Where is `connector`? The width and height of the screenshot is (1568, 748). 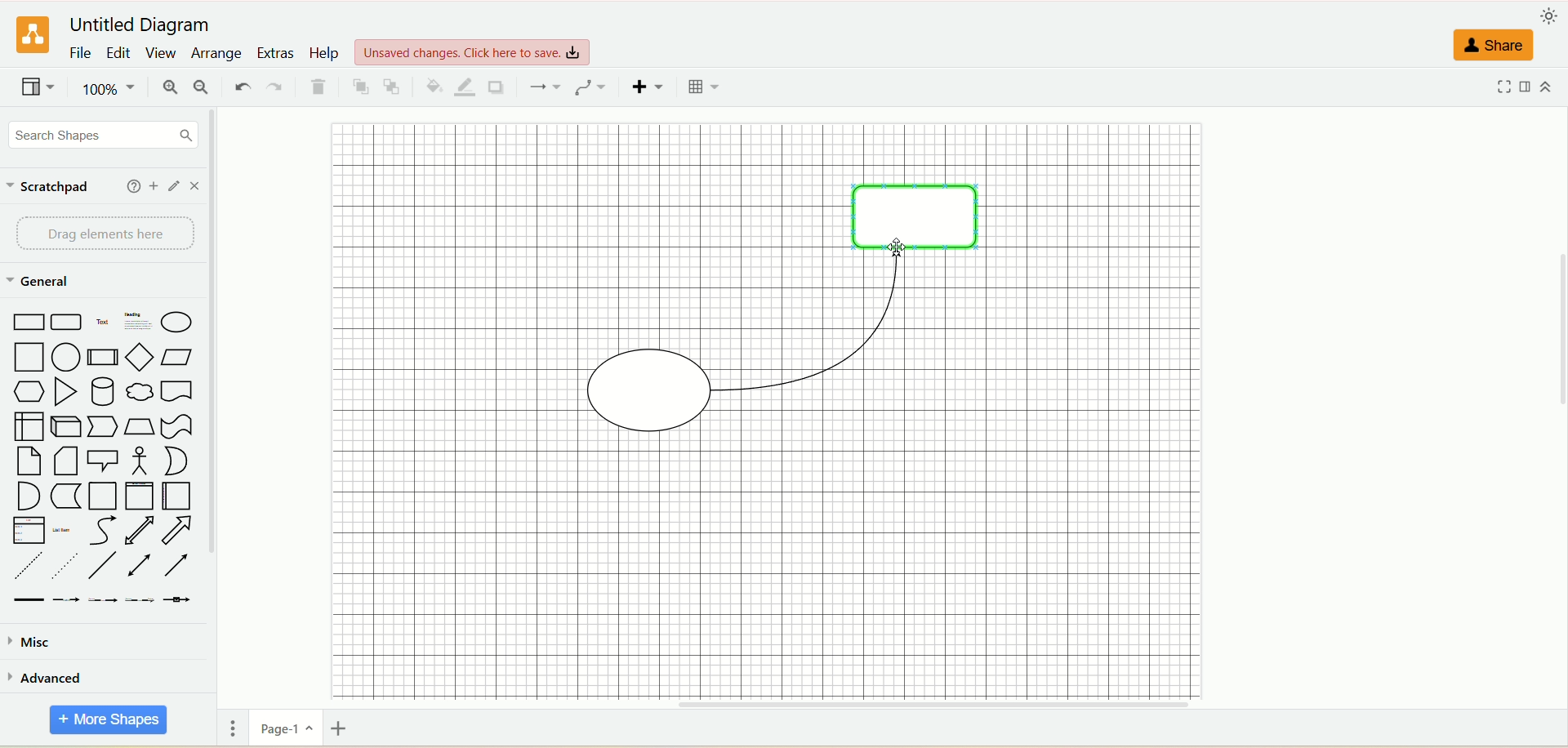
connector is located at coordinates (815, 321).